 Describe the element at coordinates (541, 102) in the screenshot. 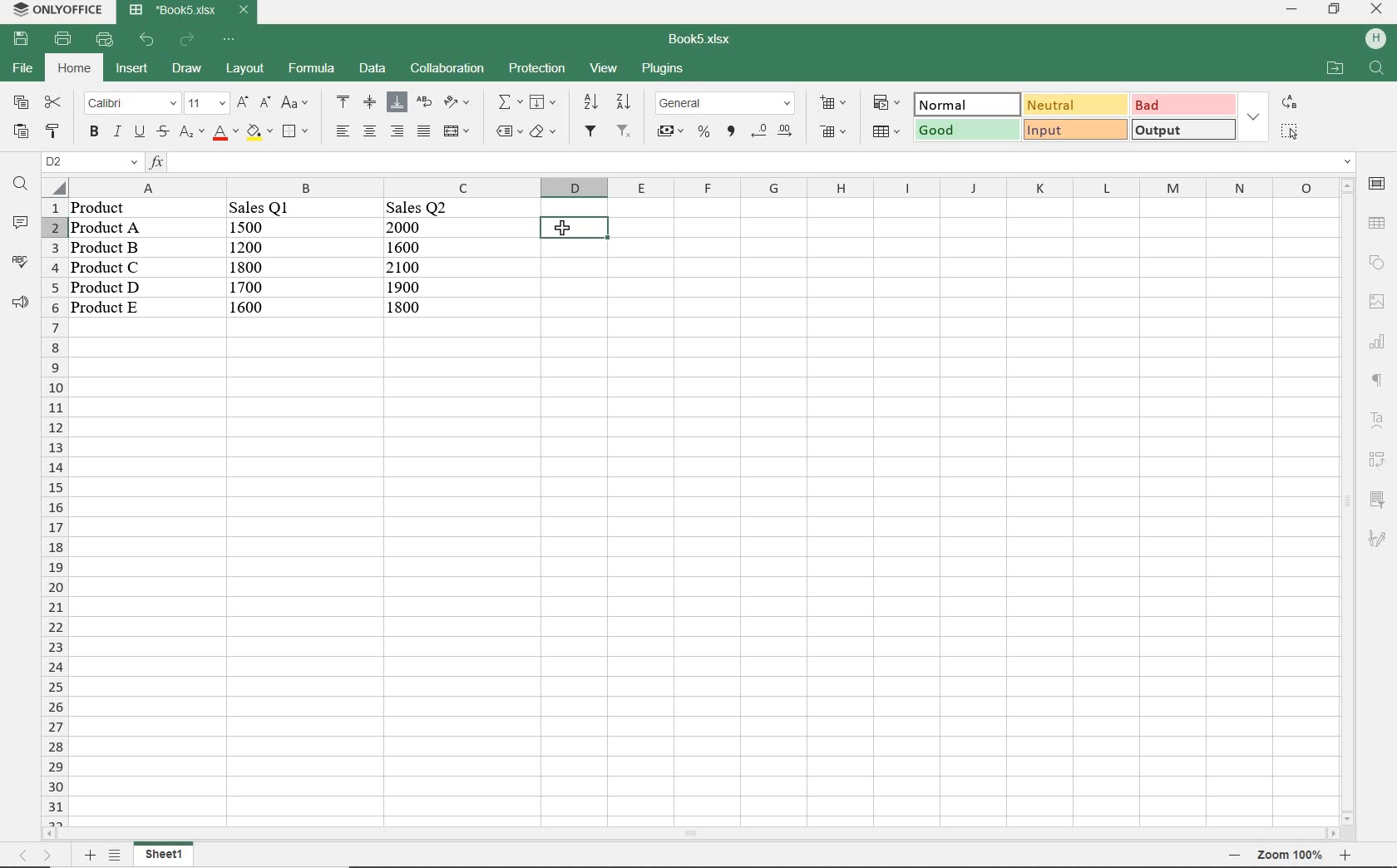

I see `fill` at that location.